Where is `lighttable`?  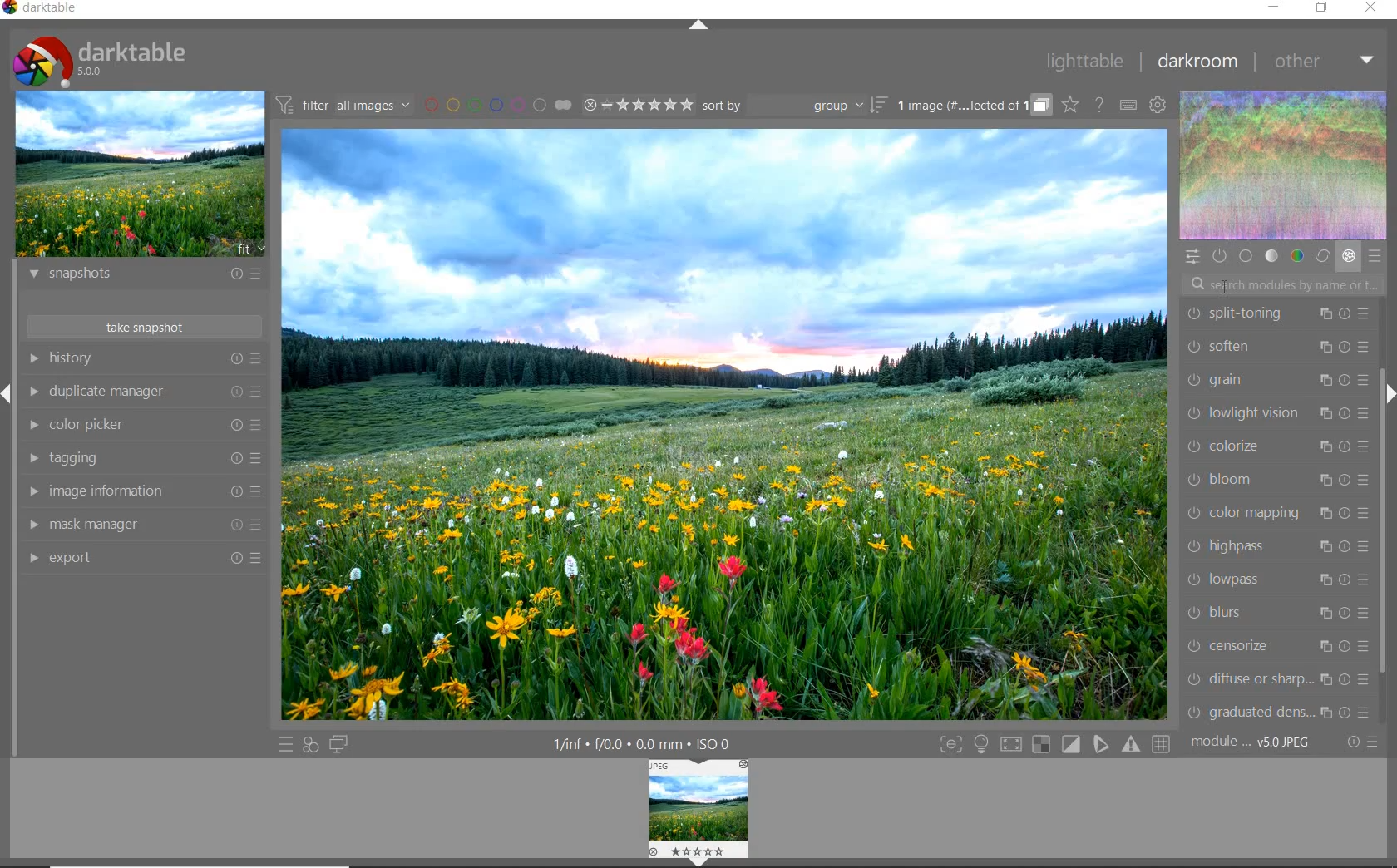
lighttable is located at coordinates (1084, 62).